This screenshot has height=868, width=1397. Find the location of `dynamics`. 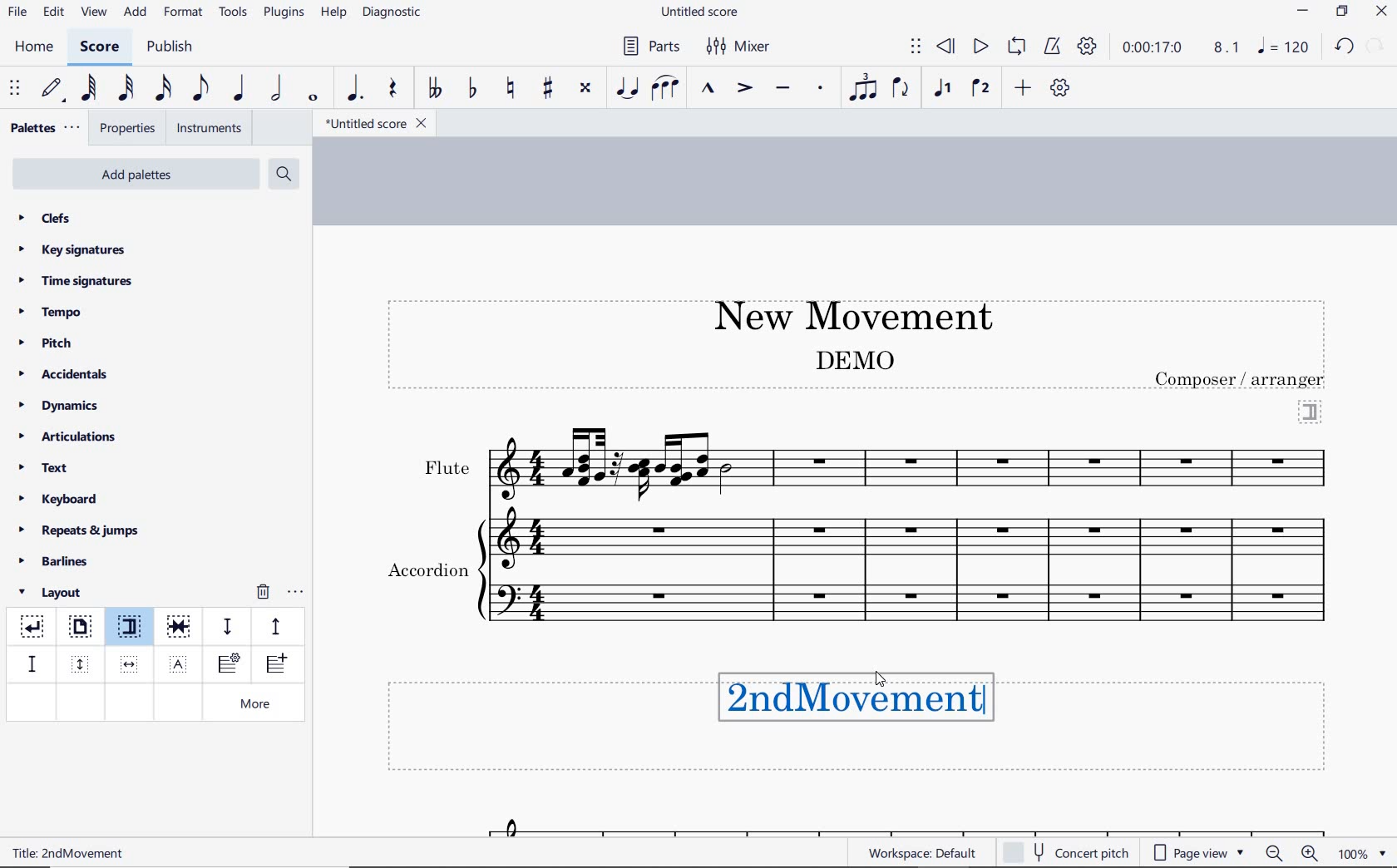

dynamics is located at coordinates (63, 406).